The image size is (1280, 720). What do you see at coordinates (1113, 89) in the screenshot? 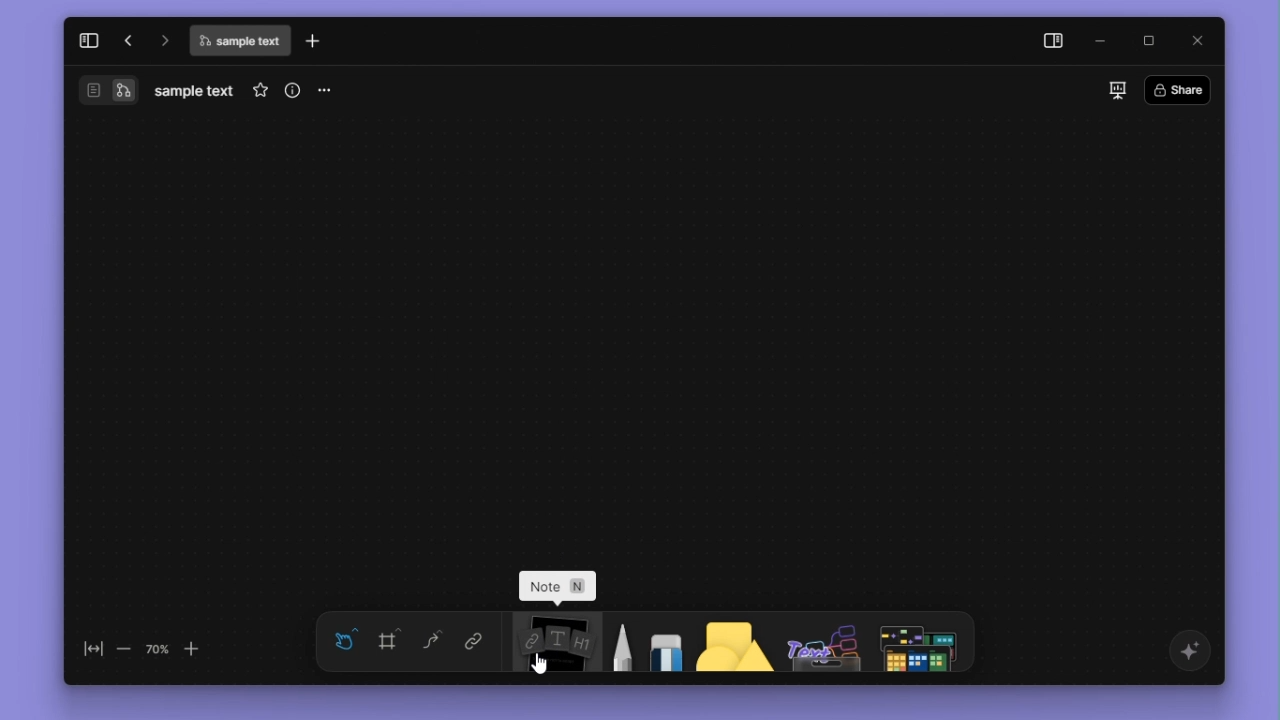
I see `slideshow` at bounding box center [1113, 89].